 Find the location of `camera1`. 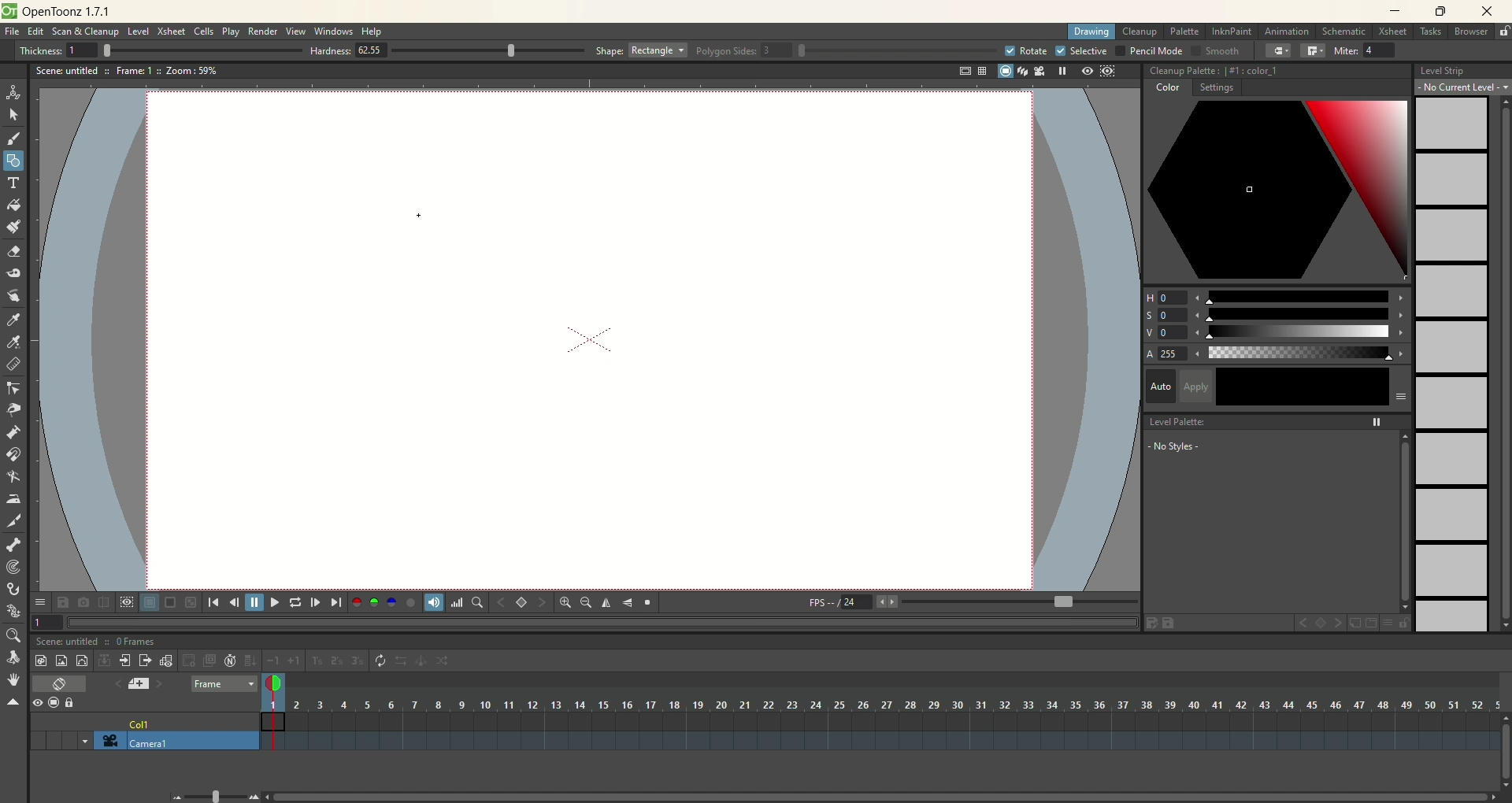

camera1 is located at coordinates (193, 741).